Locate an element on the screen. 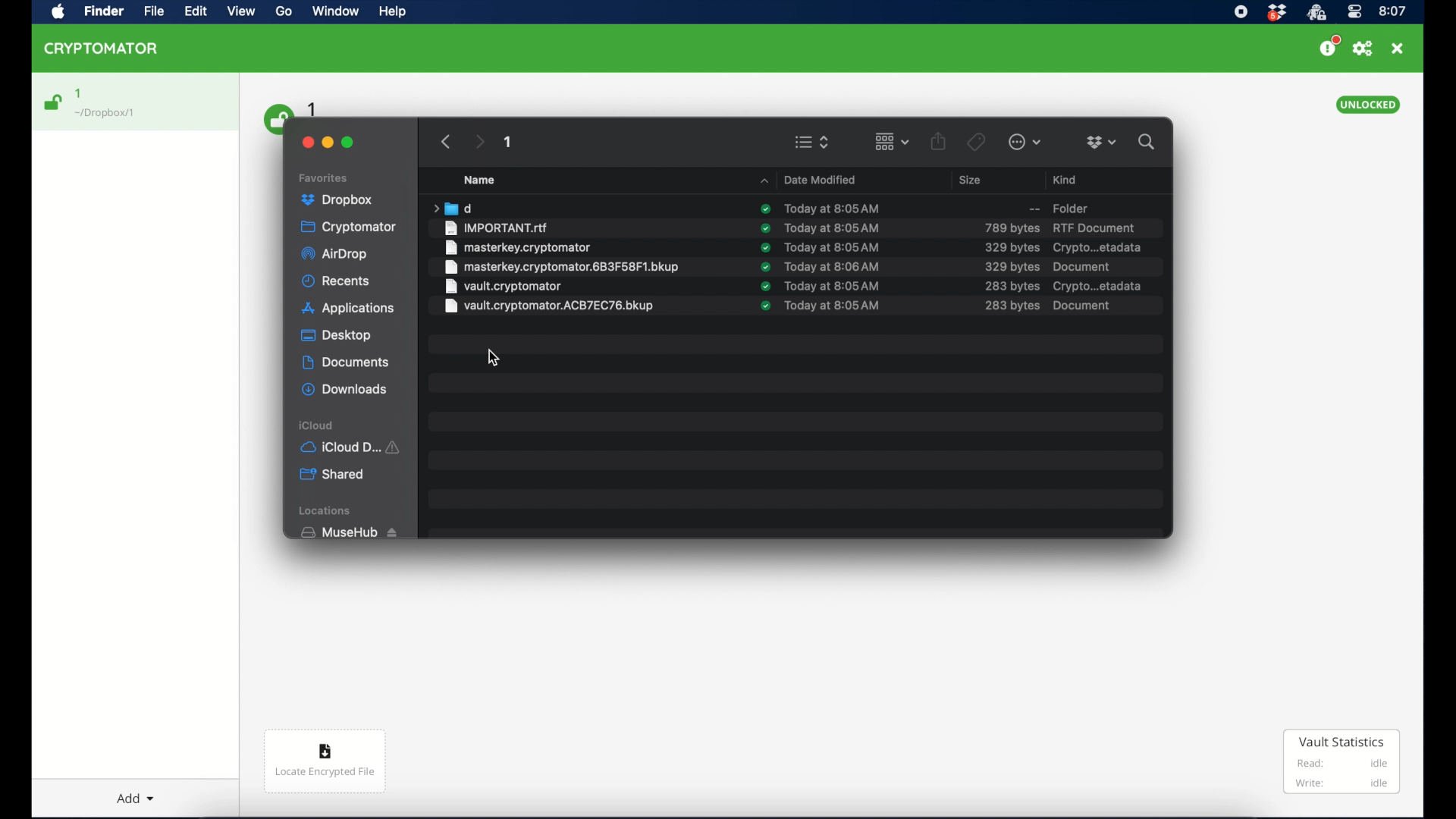 This screenshot has width=1456, height=819. crypto is located at coordinates (1097, 248).